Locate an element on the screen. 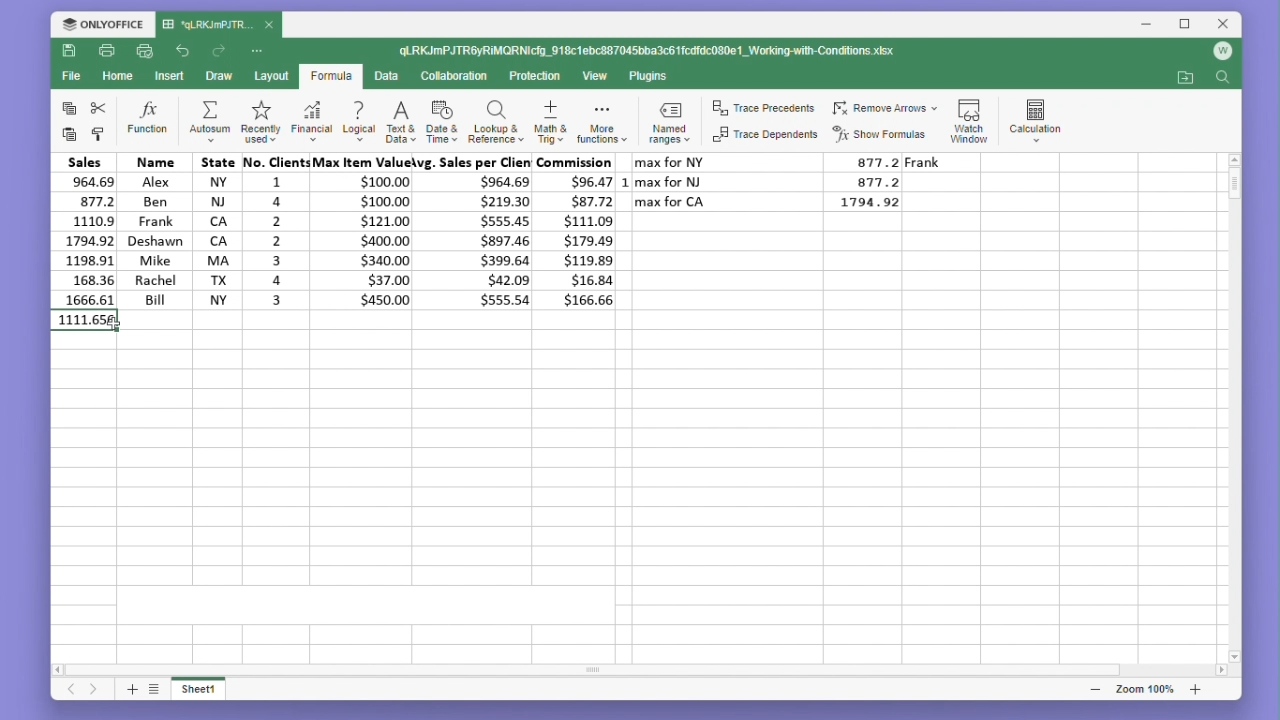 The image size is (1280, 720). Text and data is located at coordinates (399, 119).